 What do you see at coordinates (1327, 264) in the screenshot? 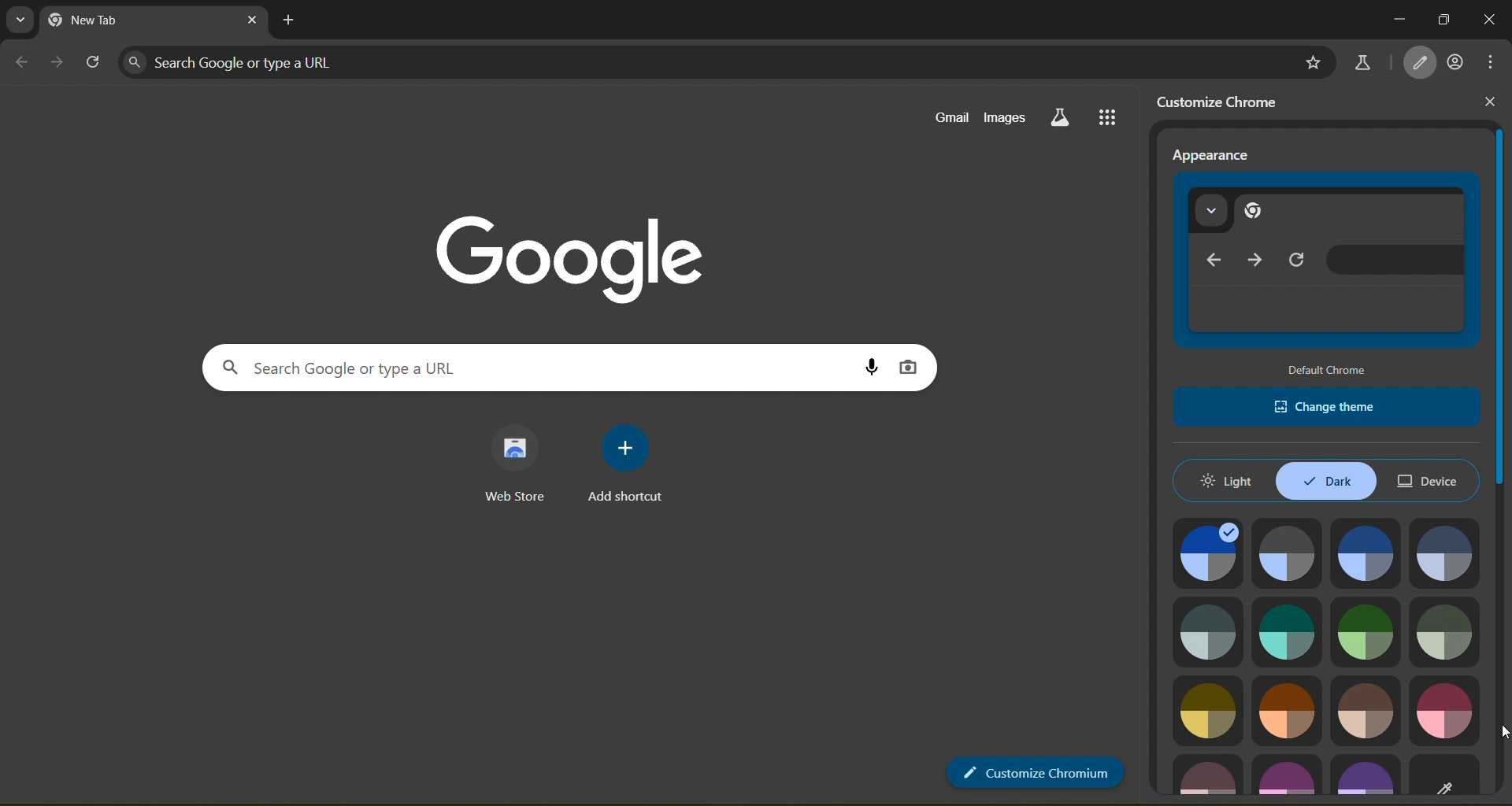
I see `appearance` at bounding box center [1327, 264].